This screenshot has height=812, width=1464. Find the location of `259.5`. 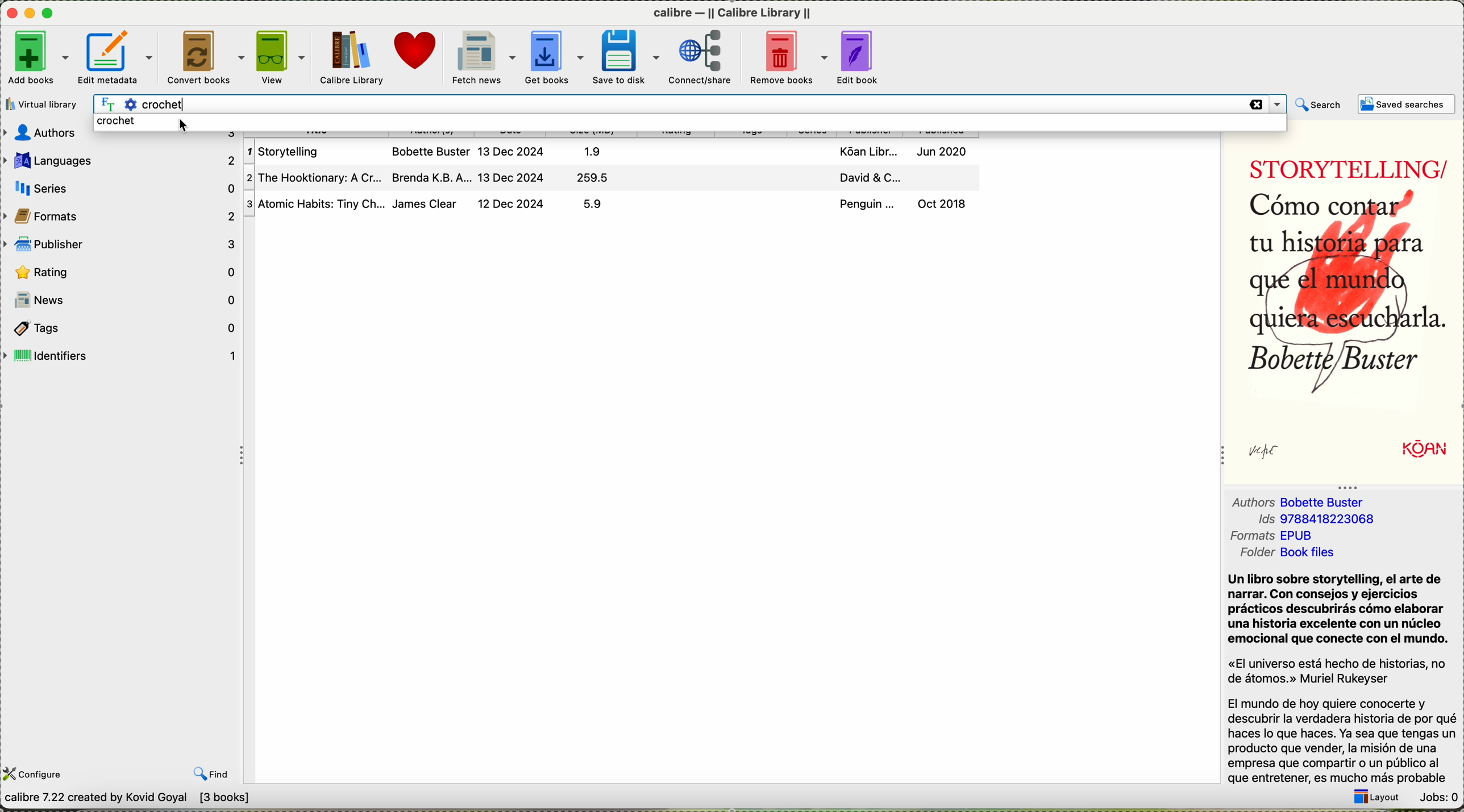

259.5 is located at coordinates (600, 178).